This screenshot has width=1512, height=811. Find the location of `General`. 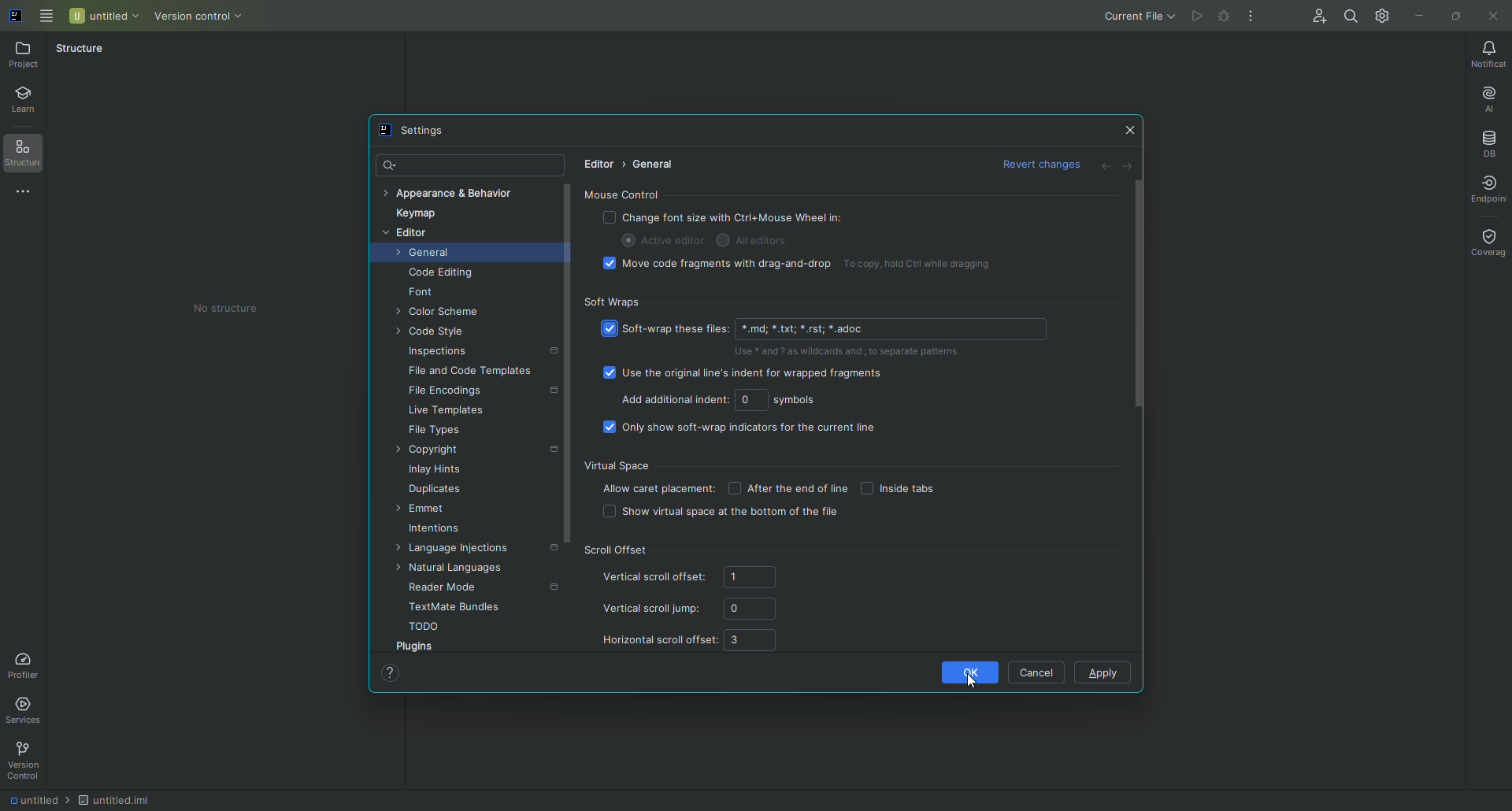

General is located at coordinates (426, 255).